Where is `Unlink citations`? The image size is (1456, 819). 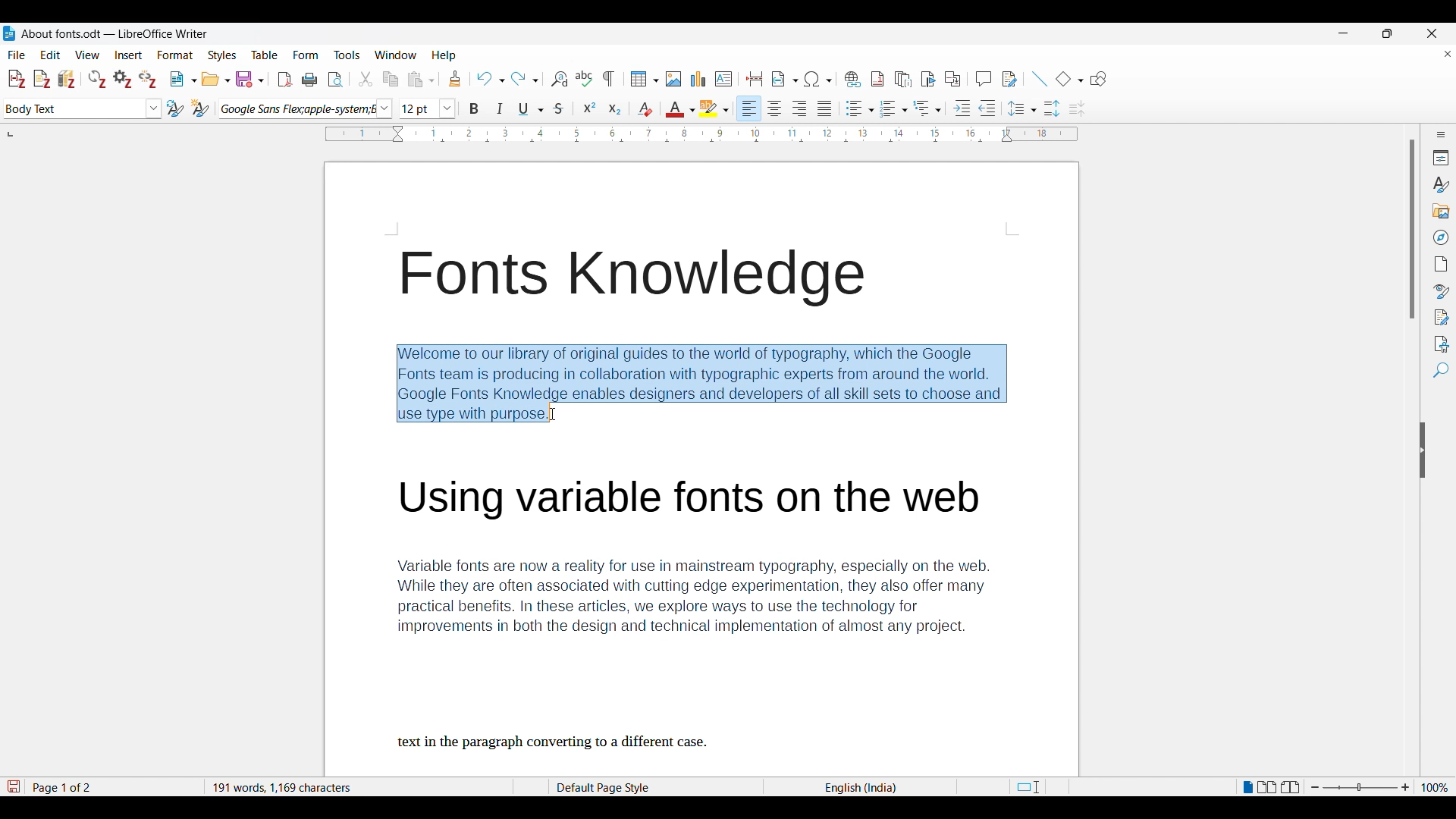
Unlink citations is located at coordinates (147, 79).